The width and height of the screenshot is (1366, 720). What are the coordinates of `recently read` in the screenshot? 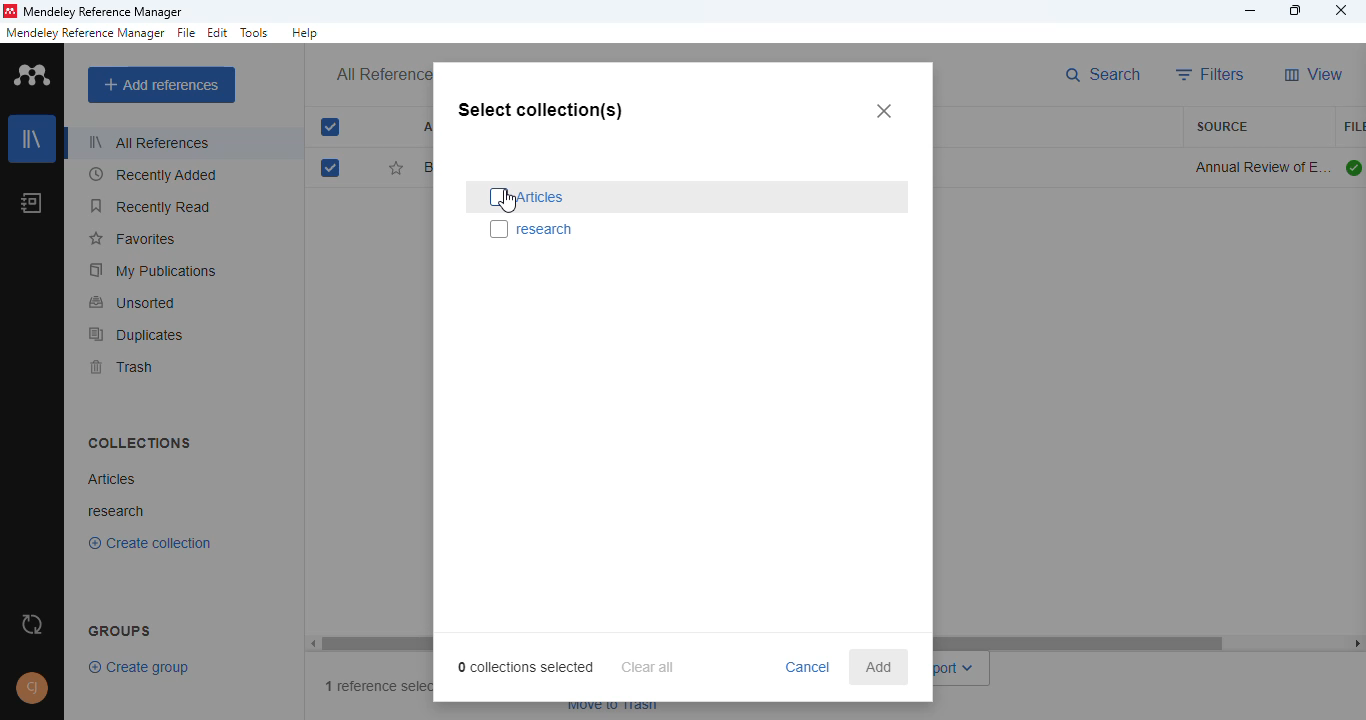 It's located at (150, 206).